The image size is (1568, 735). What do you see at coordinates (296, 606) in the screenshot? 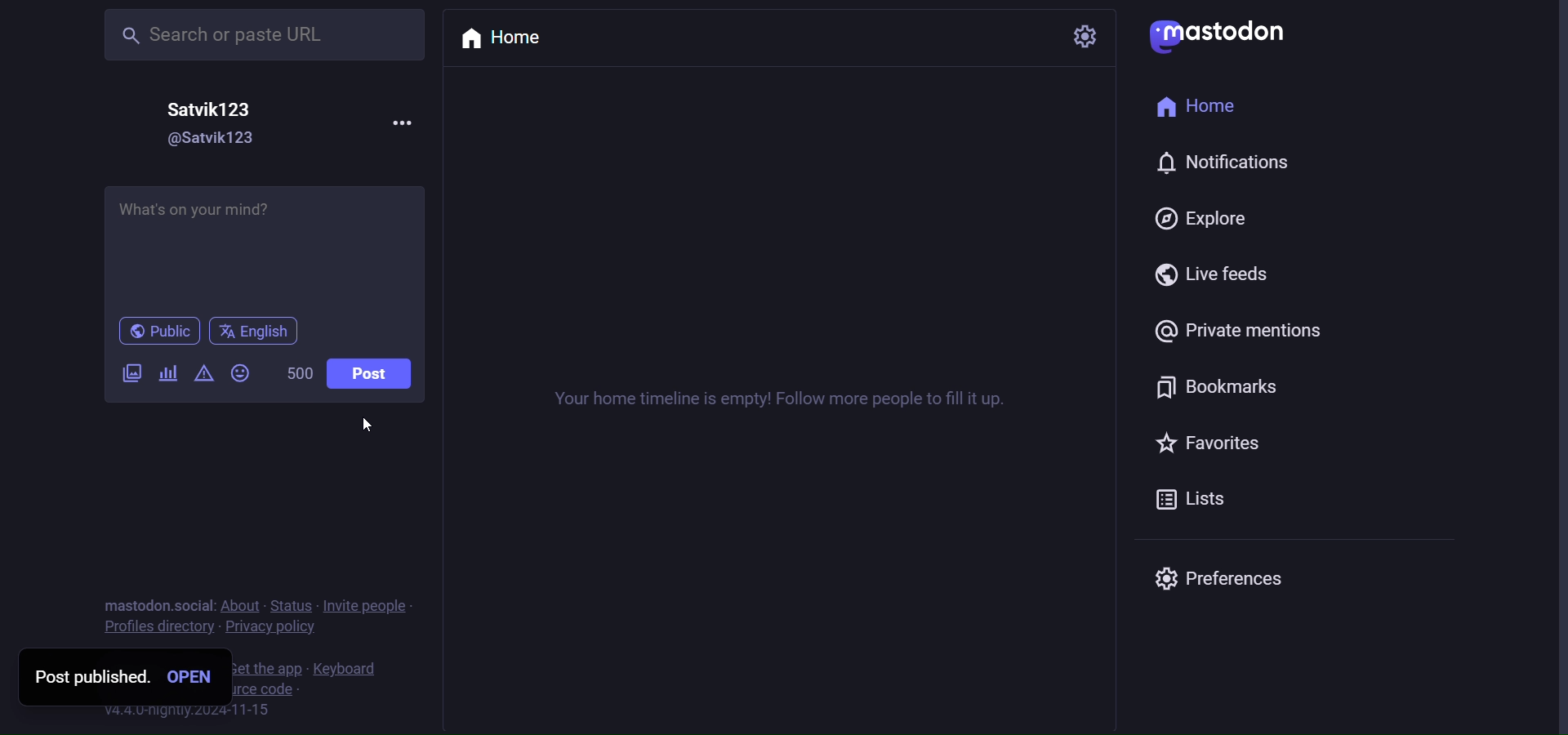
I see `status` at bounding box center [296, 606].